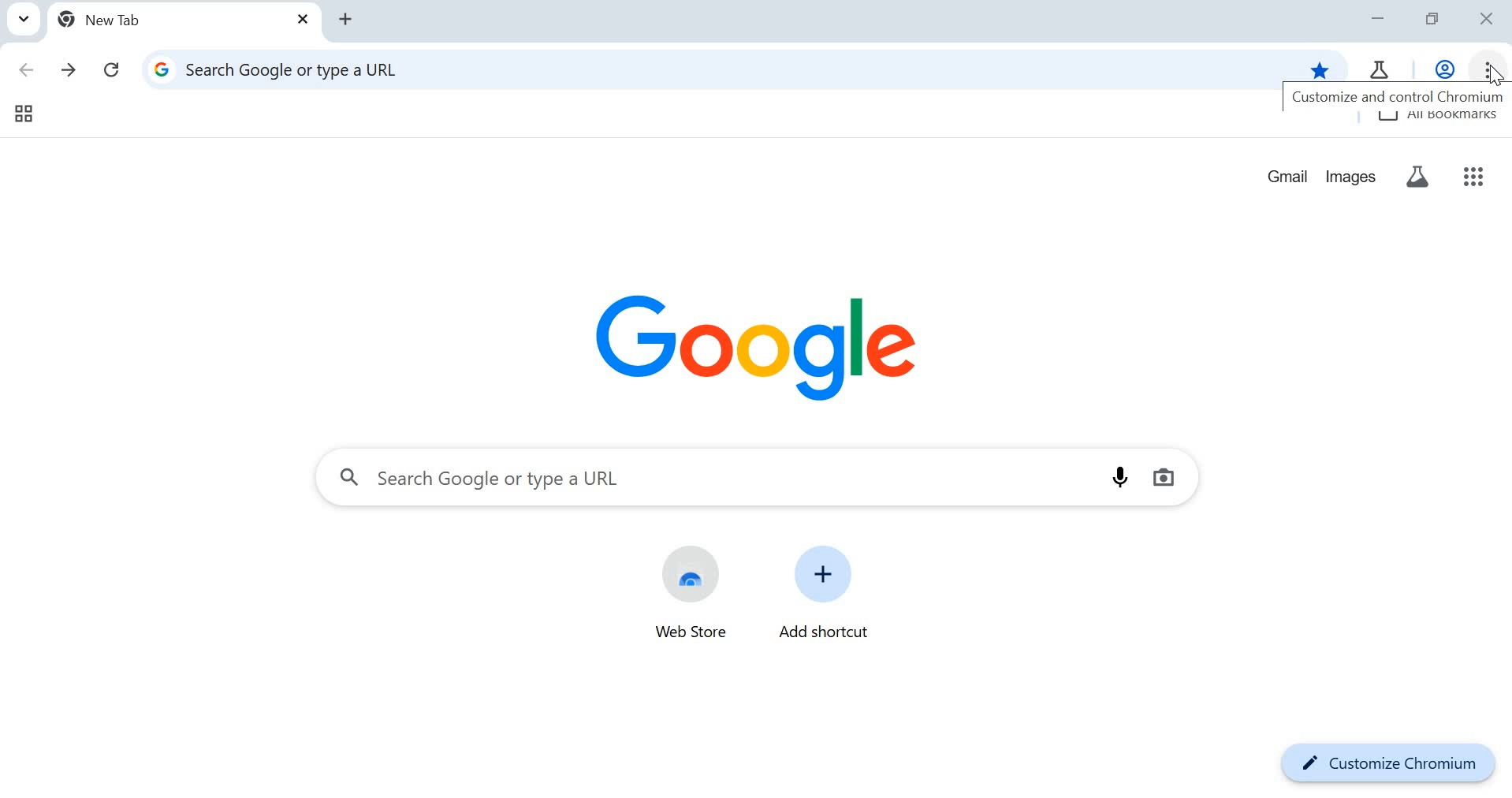  I want to click on cursor at customize and control chromium option, so click(1495, 72).